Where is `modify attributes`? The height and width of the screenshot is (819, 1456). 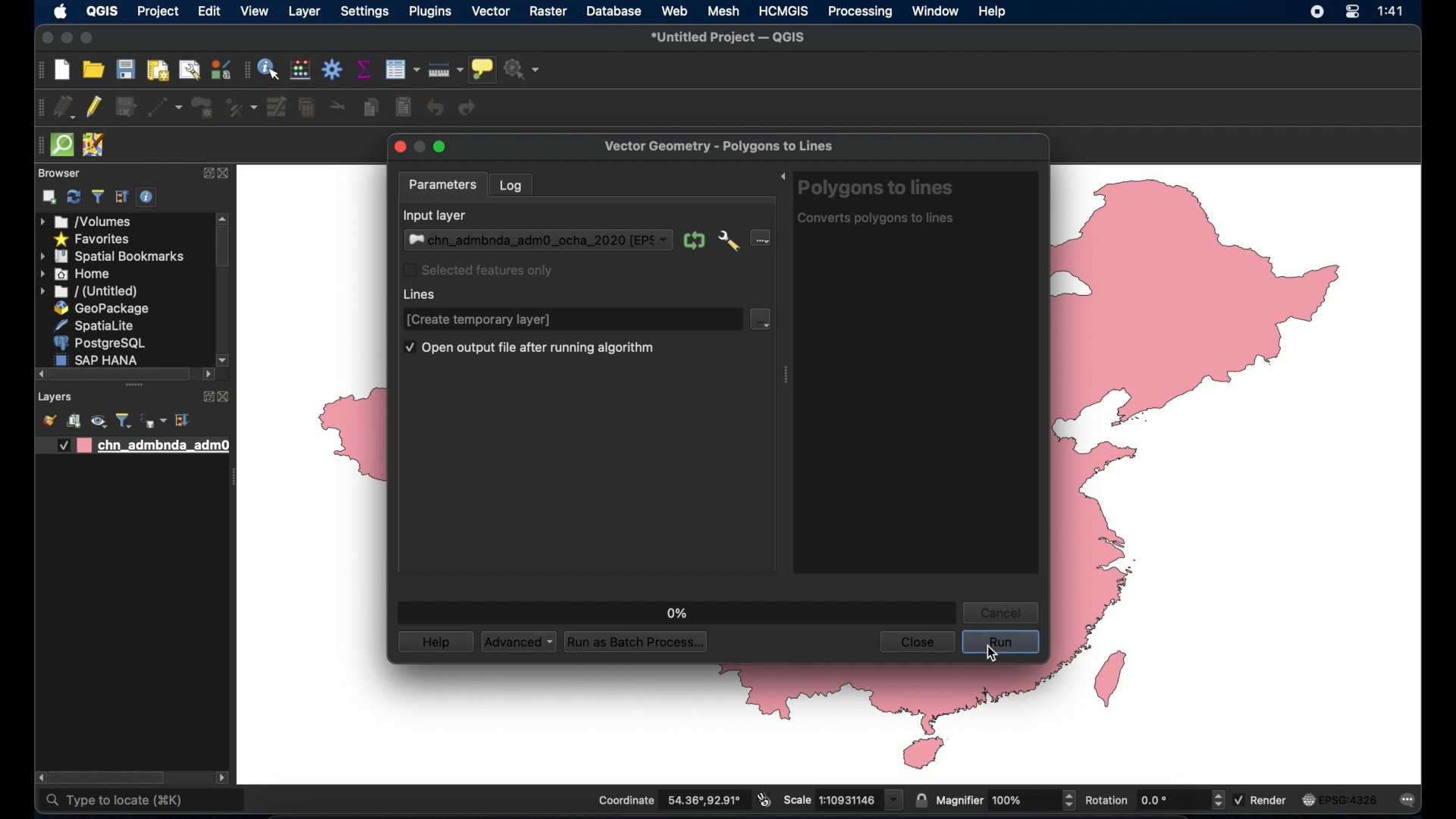
modify attributes is located at coordinates (278, 107).